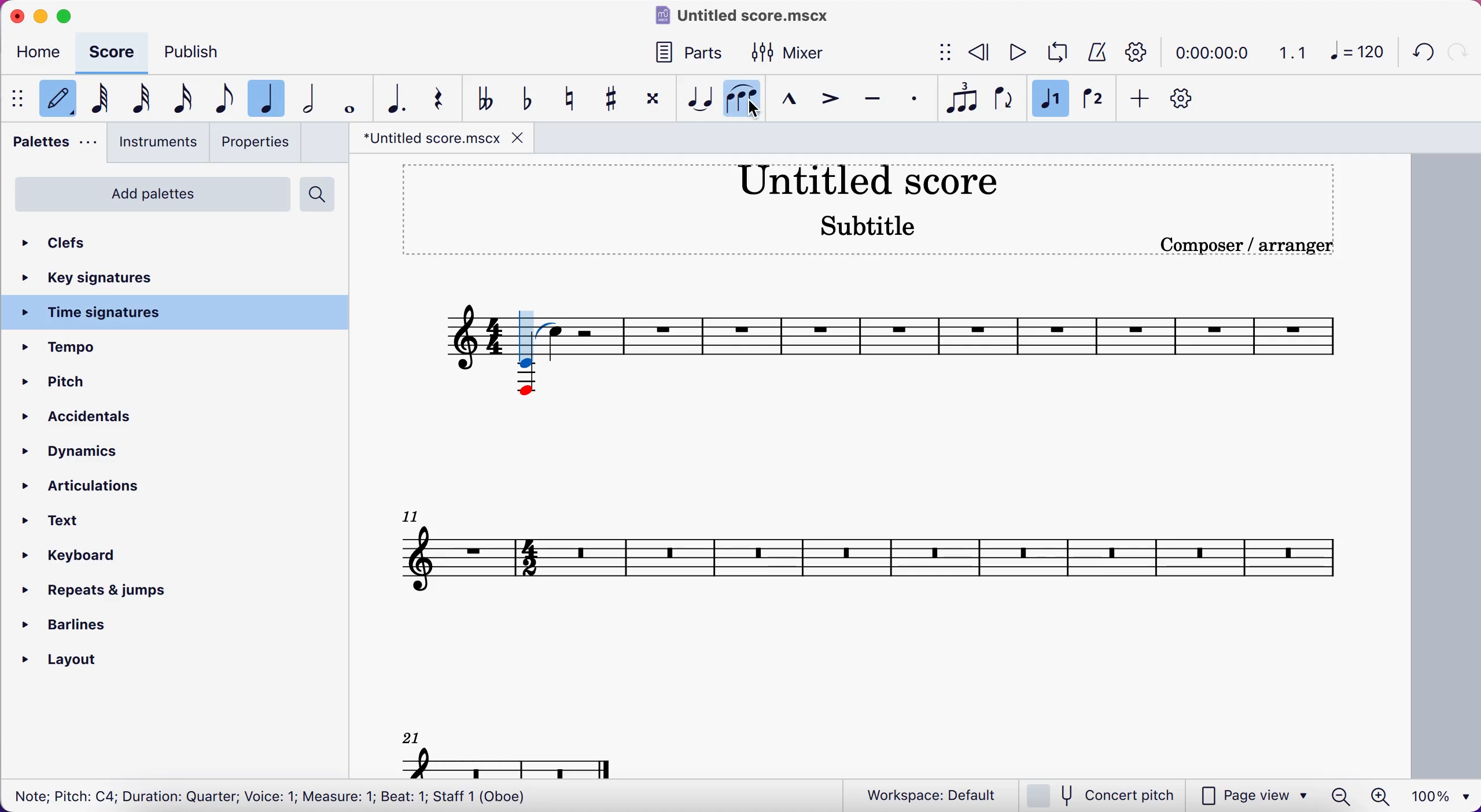 This screenshot has height=812, width=1481. What do you see at coordinates (488, 98) in the screenshot?
I see `toggle double flat` at bounding box center [488, 98].